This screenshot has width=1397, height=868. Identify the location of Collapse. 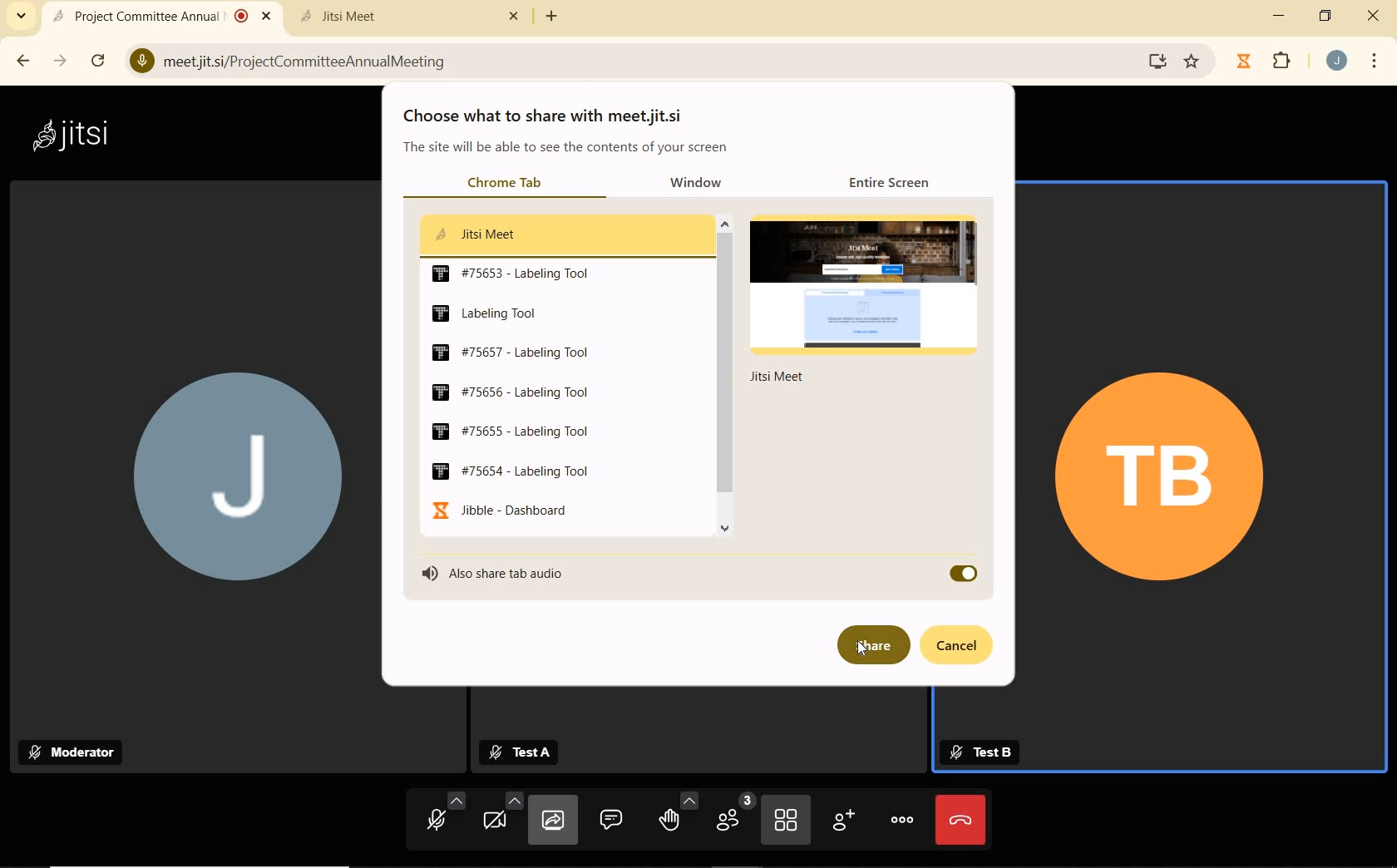
(21, 17).